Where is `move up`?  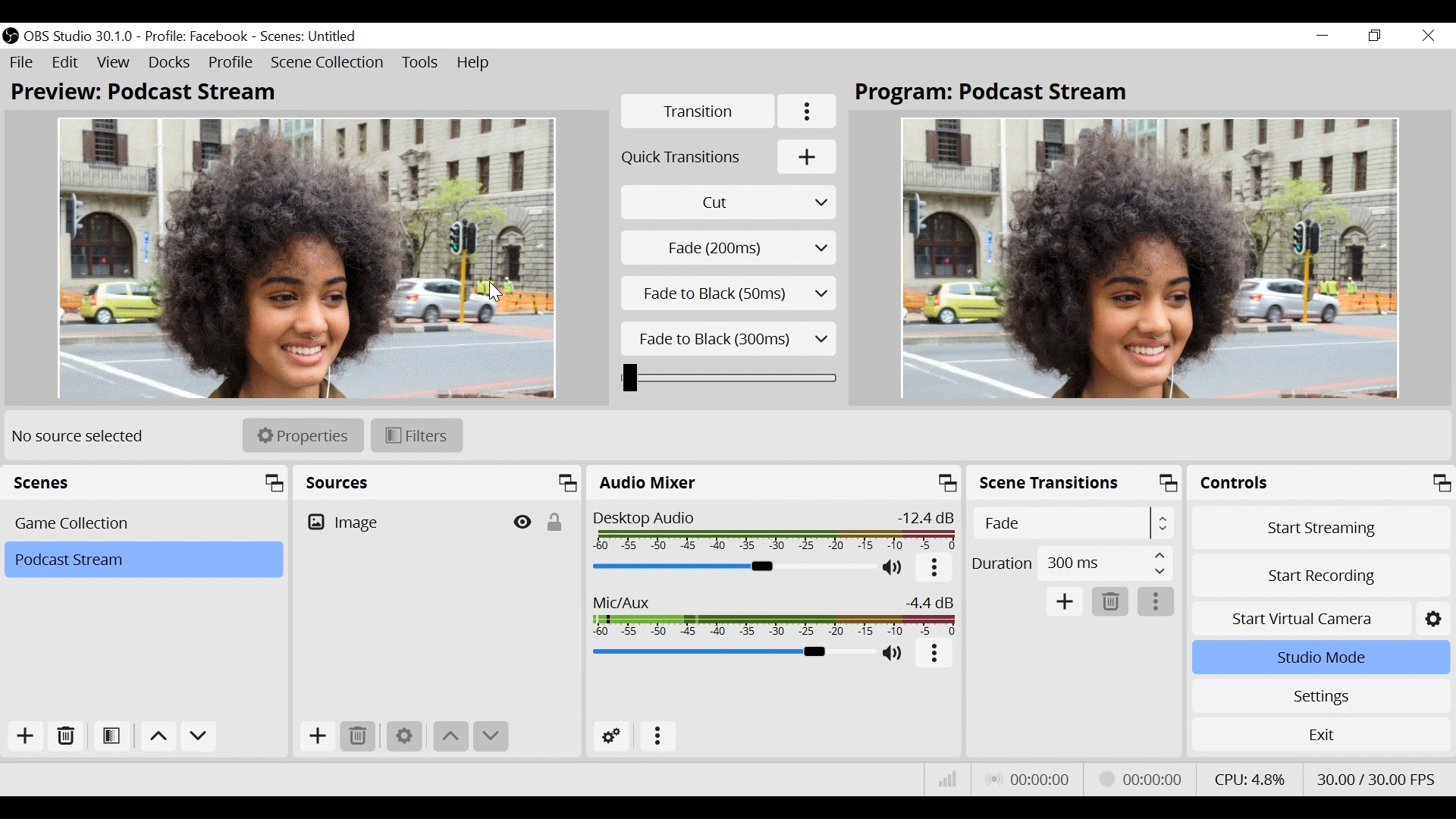 move up is located at coordinates (158, 736).